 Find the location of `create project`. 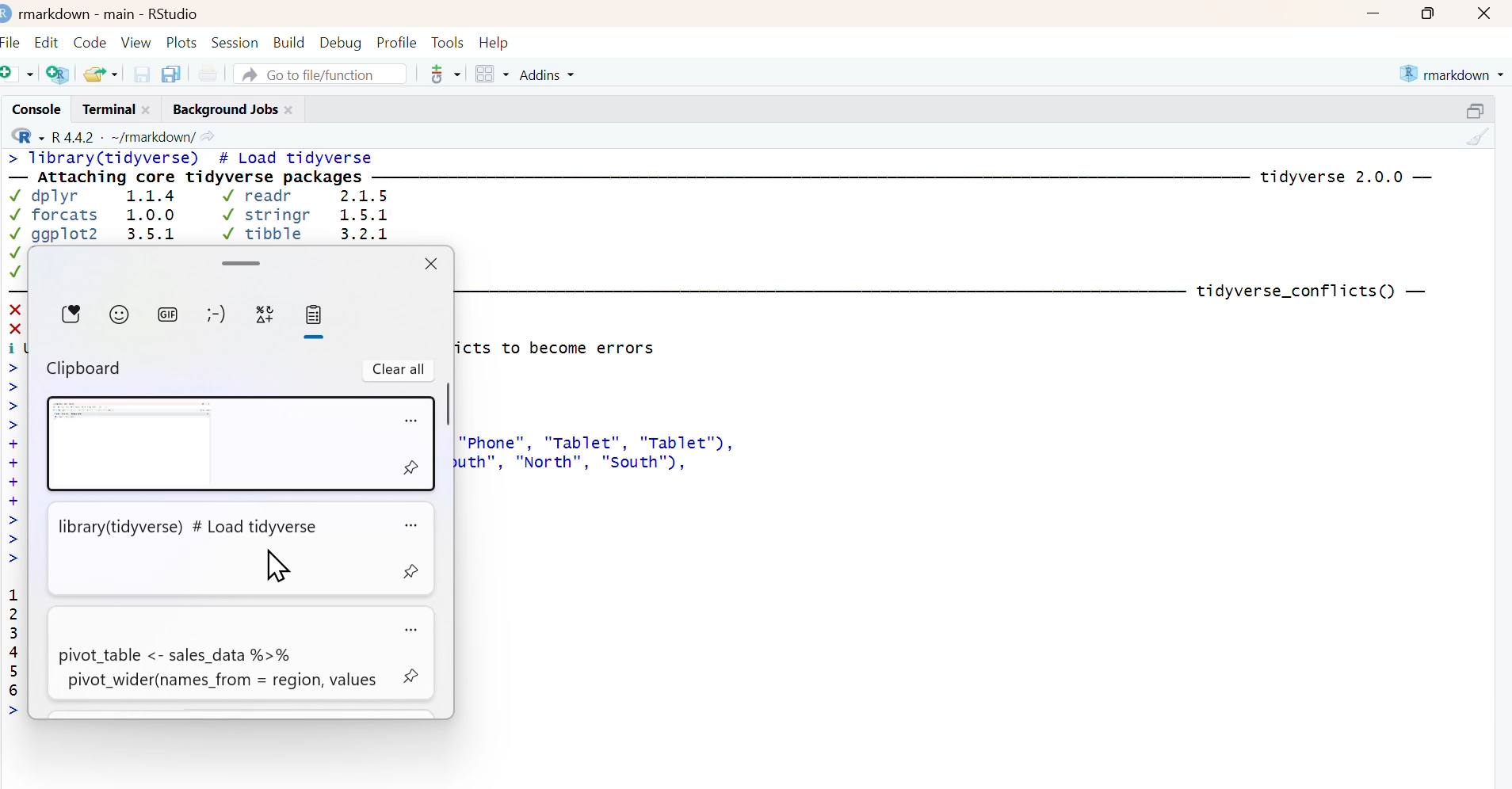

create project is located at coordinates (57, 74).